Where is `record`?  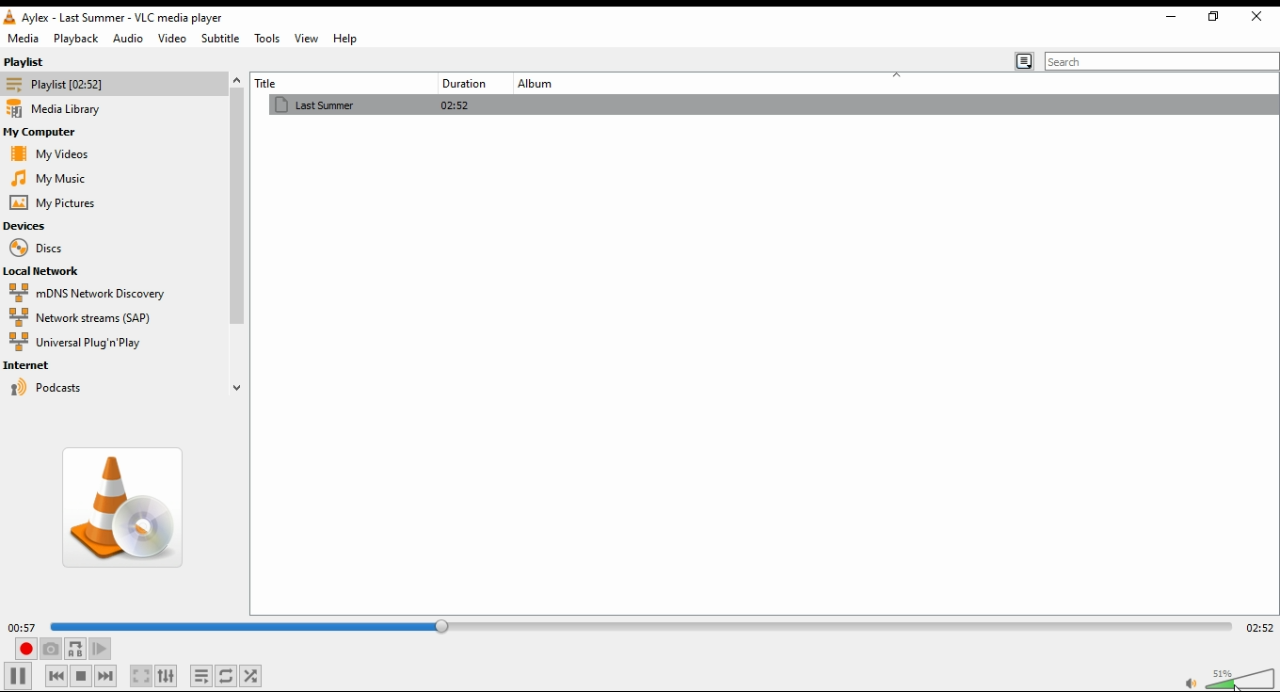 record is located at coordinates (24, 649).